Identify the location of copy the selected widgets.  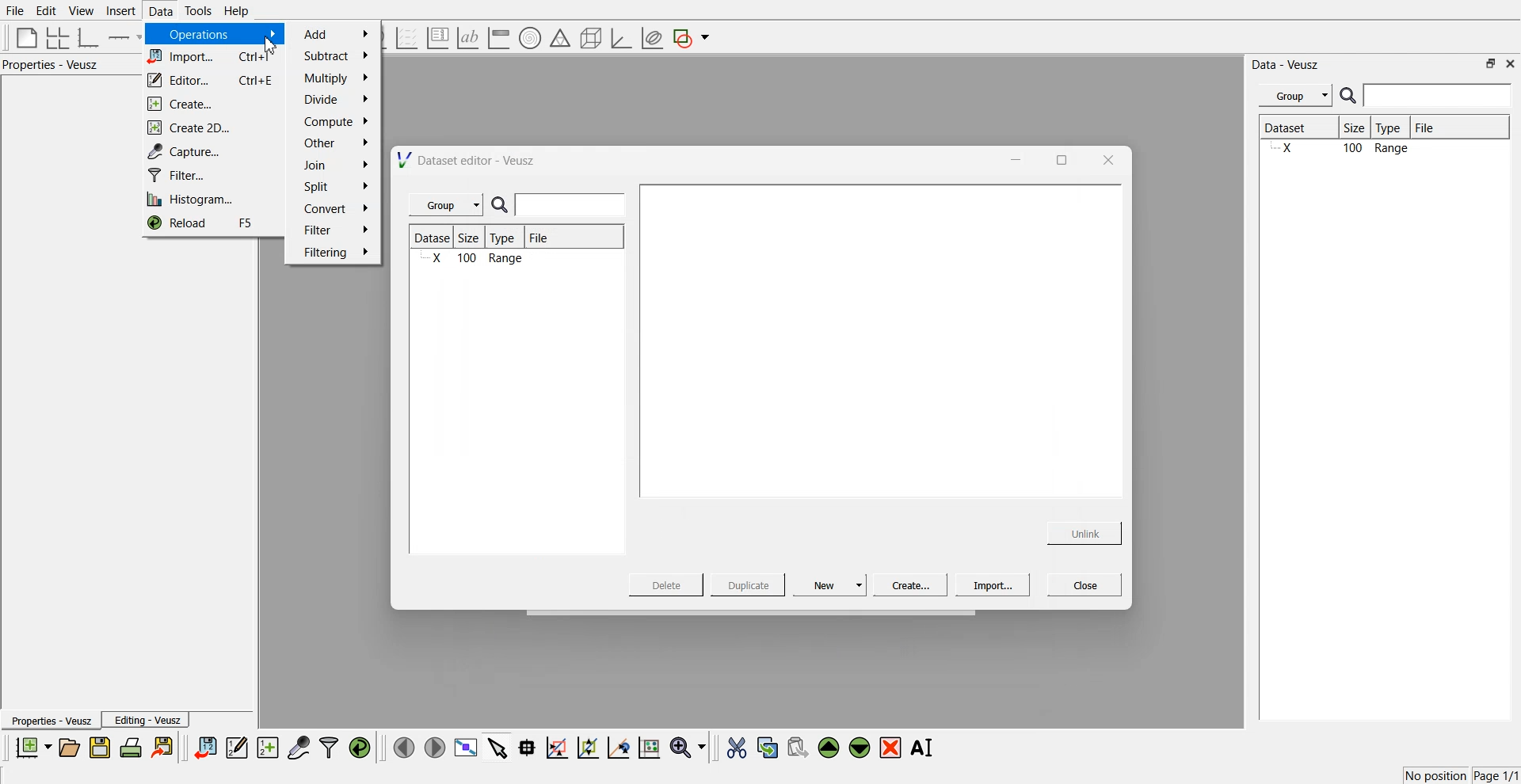
(768, 747).